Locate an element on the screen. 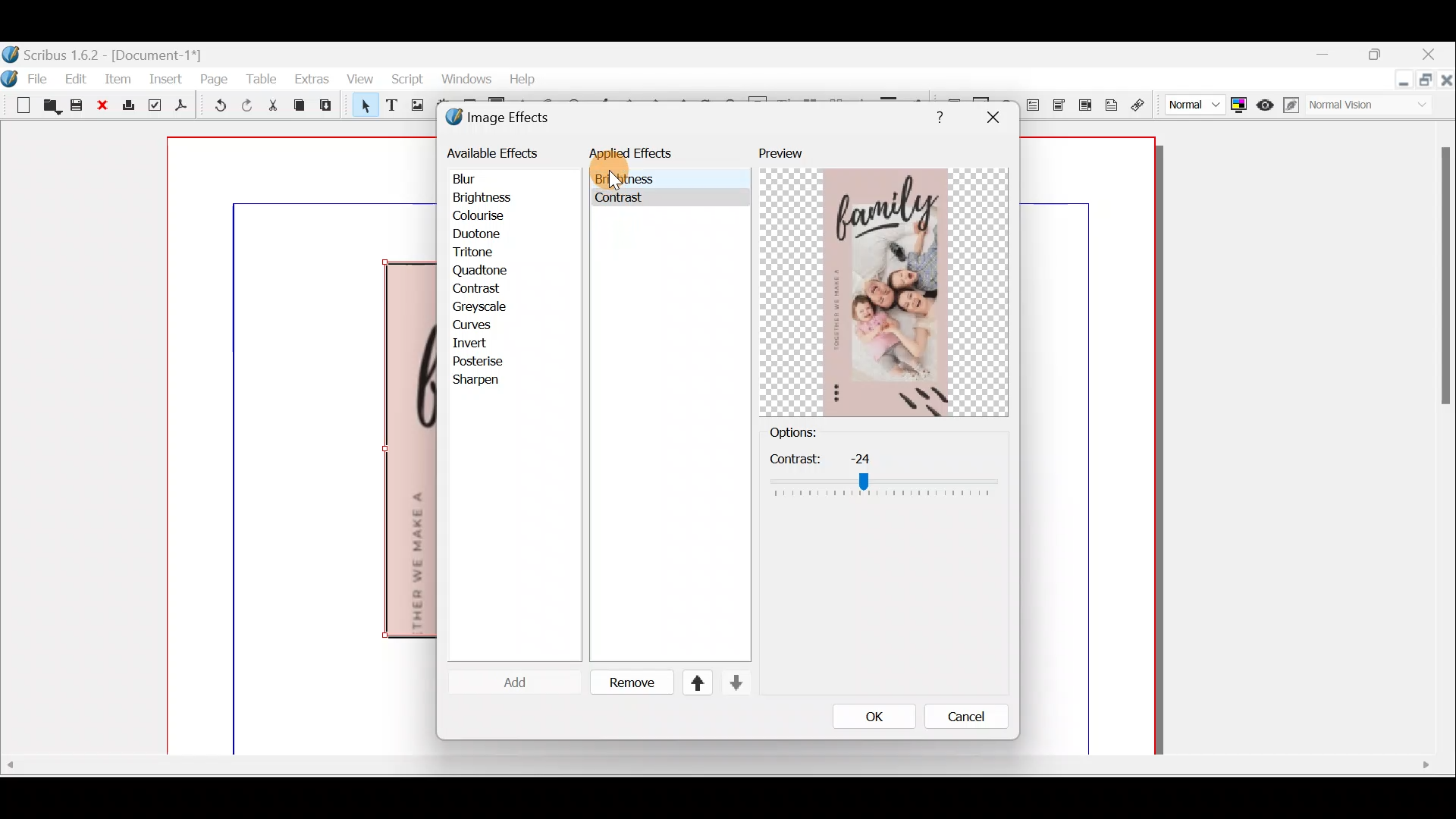 The image size is (1456, 819). Visual appearance of display is located at coordinates (1376, 108).